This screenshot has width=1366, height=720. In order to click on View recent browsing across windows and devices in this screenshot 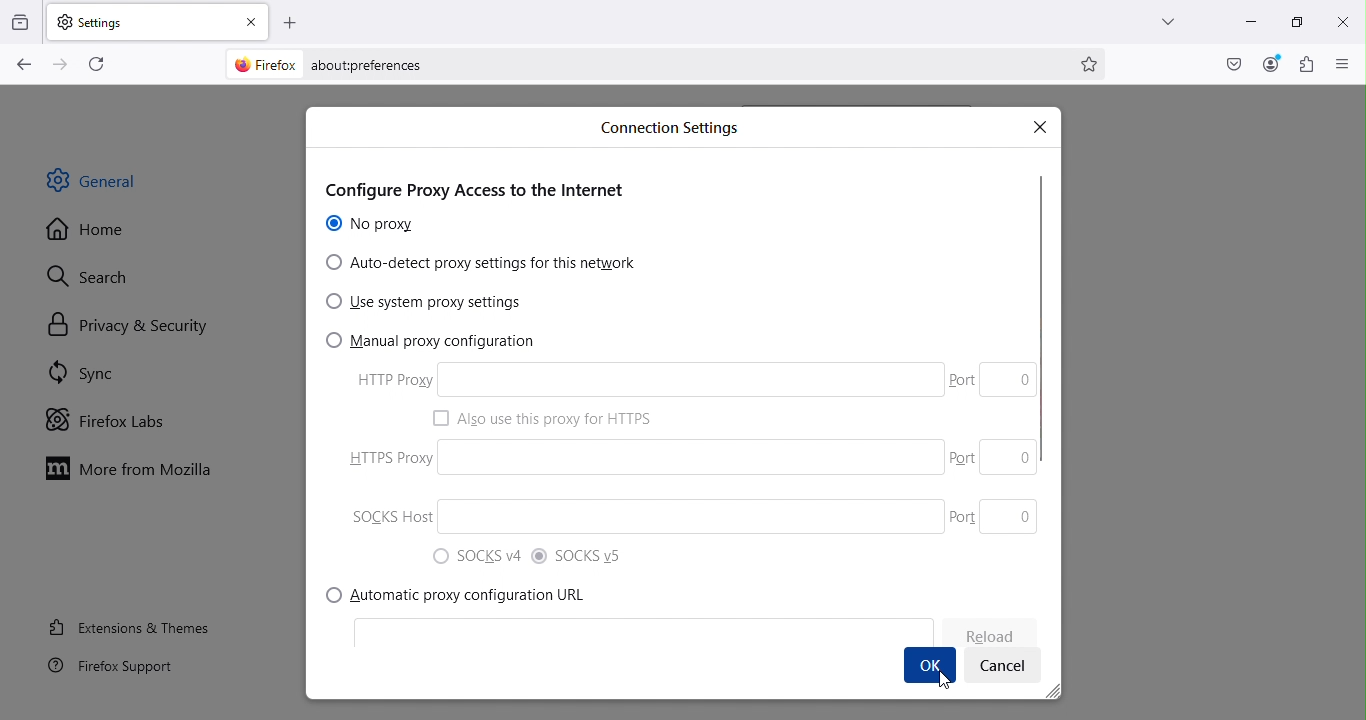, I will do `click(21, 18)`.